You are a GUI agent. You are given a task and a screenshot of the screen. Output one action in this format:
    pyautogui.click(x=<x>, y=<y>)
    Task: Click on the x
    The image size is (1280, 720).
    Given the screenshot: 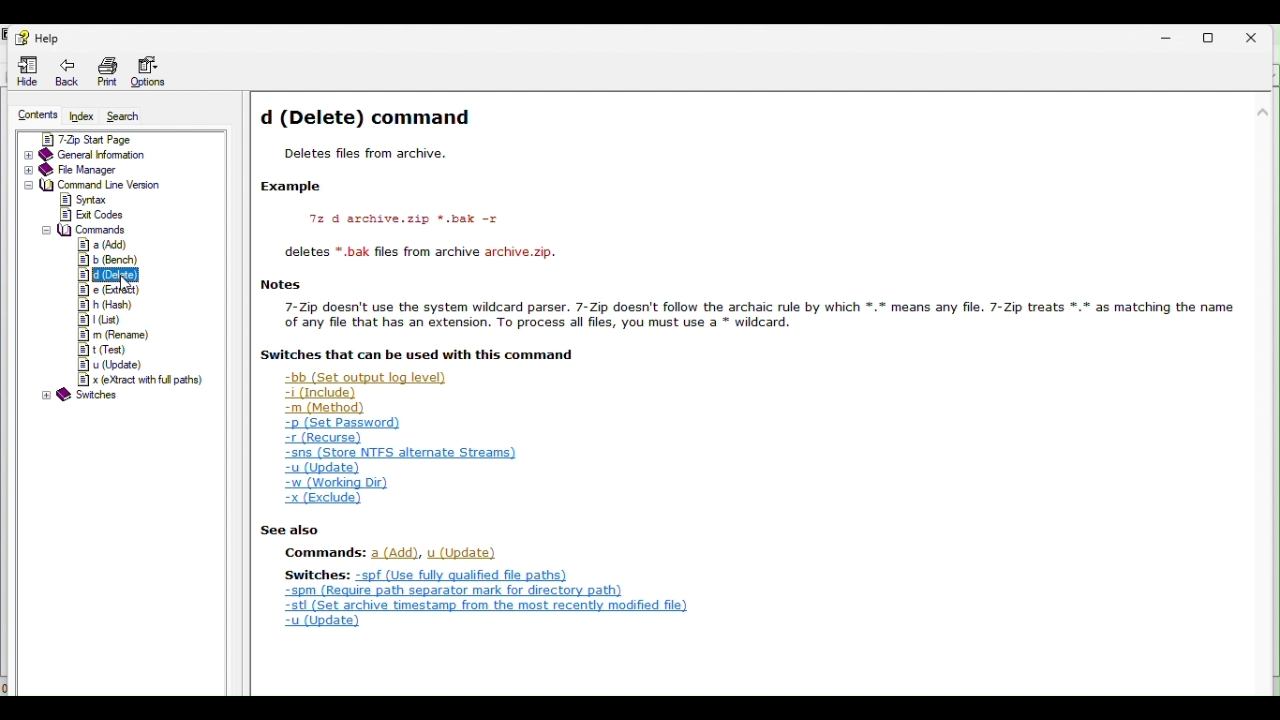 What is the action you would take?
    pyautogui.click(x=153, y=380)
    